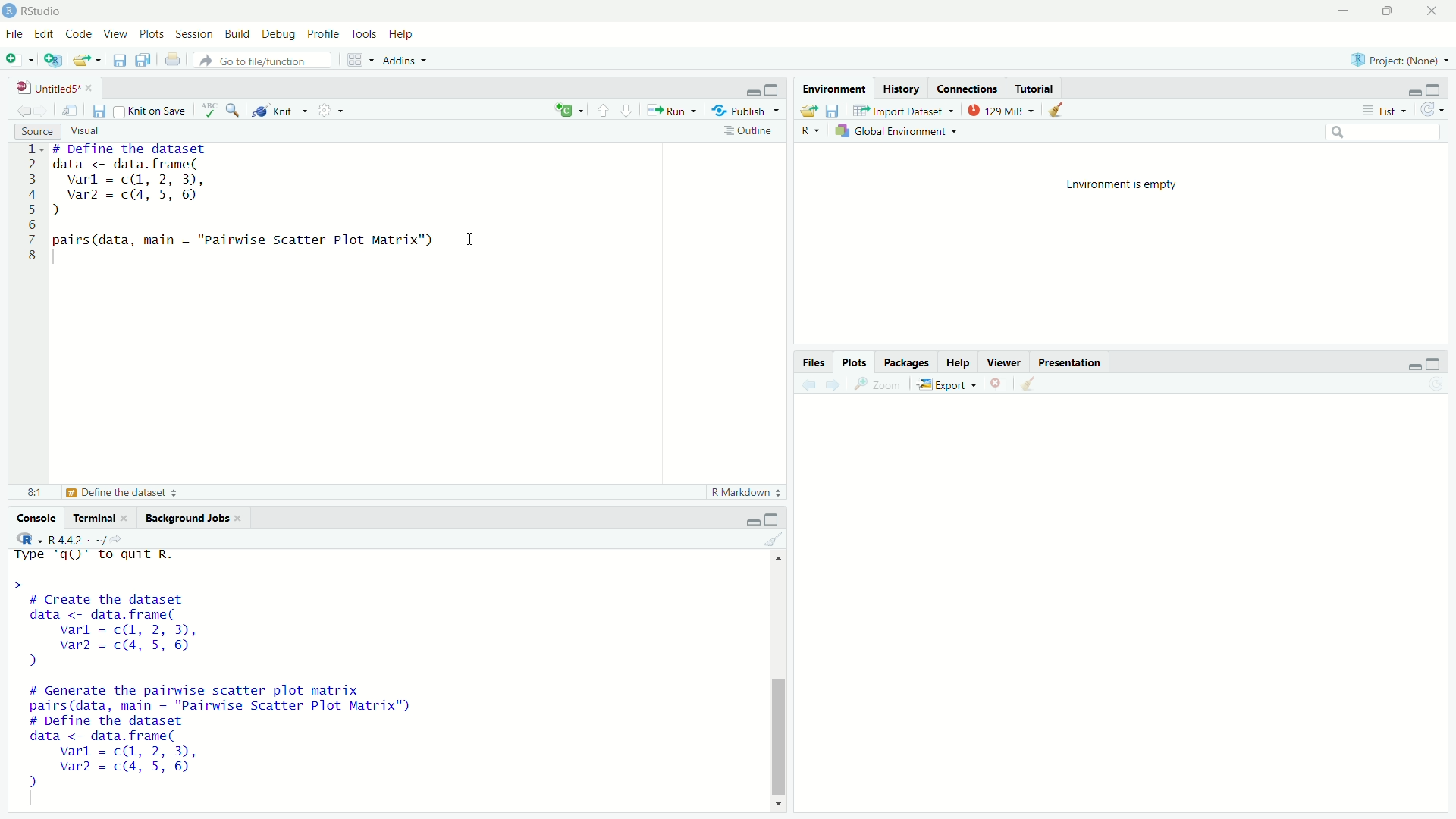 The image size is (1456, 819). Describe the element at coordinates (1383, 133) in the screenshot. I see `Search bar` at that location.